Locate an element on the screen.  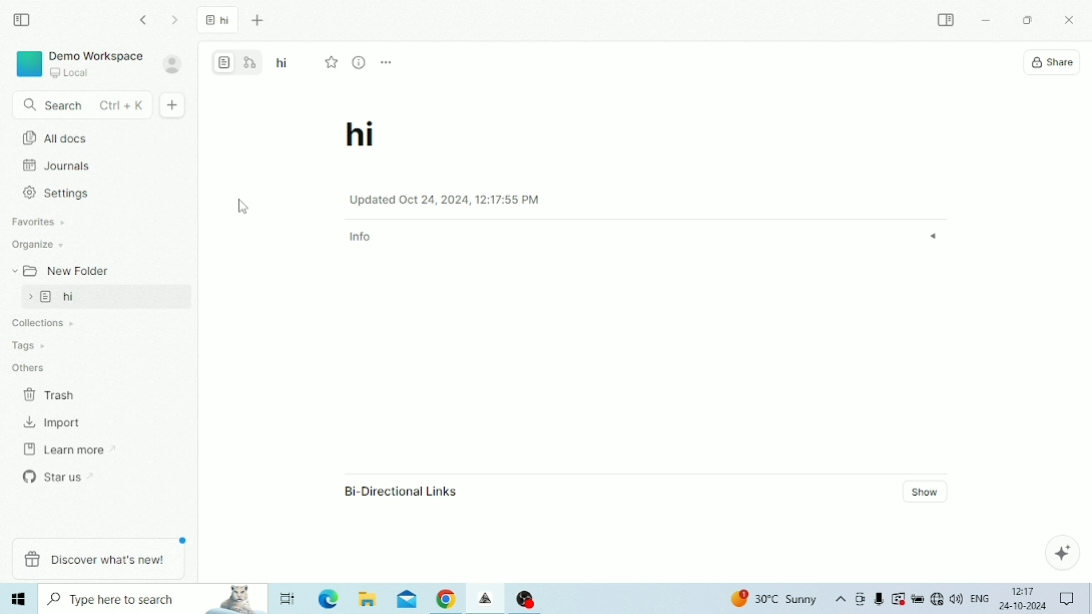
hi is located at coordinates (283, 64).